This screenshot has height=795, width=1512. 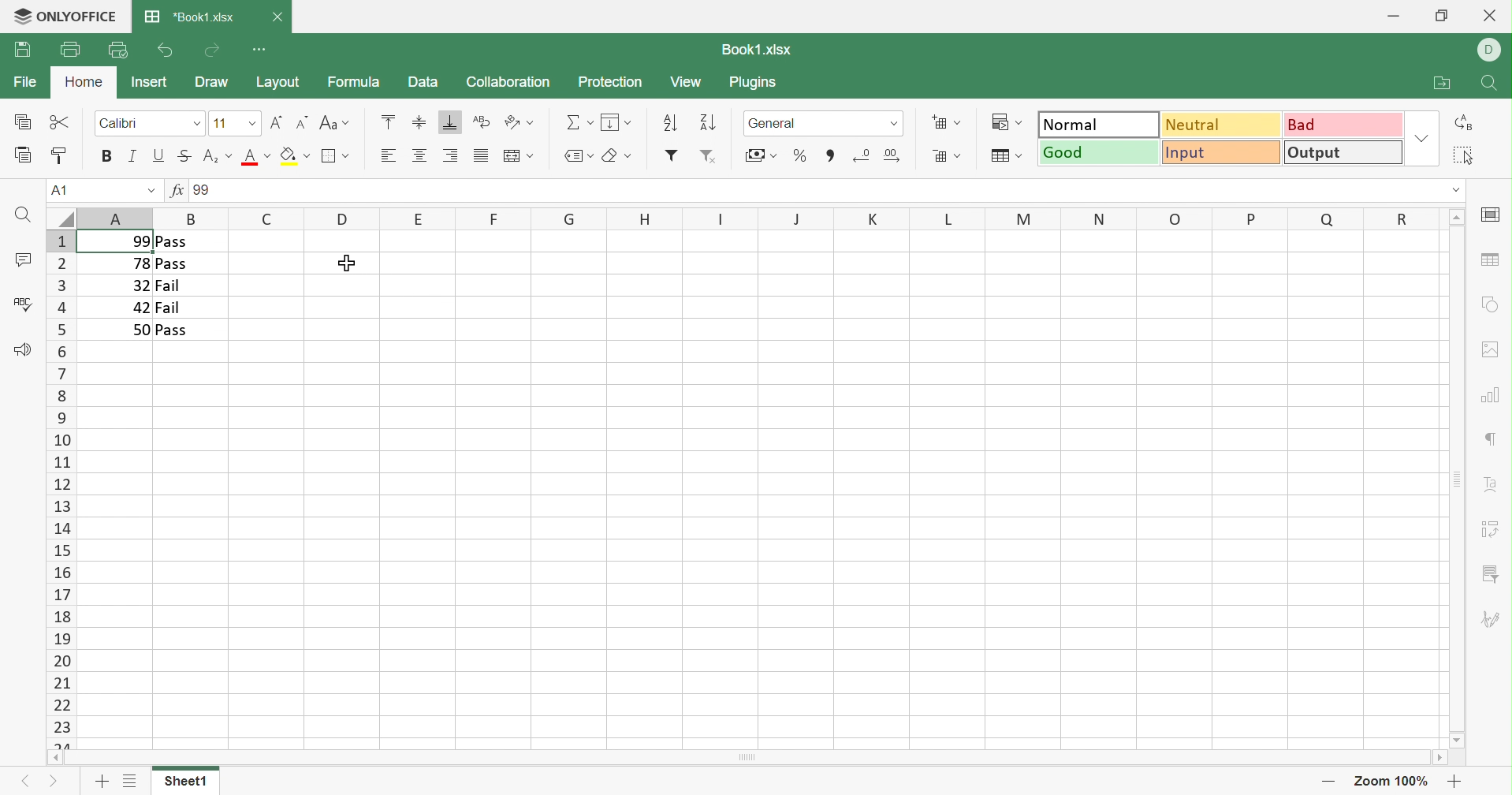 I want to click on Zoom out, so click(x=1328, y=784).